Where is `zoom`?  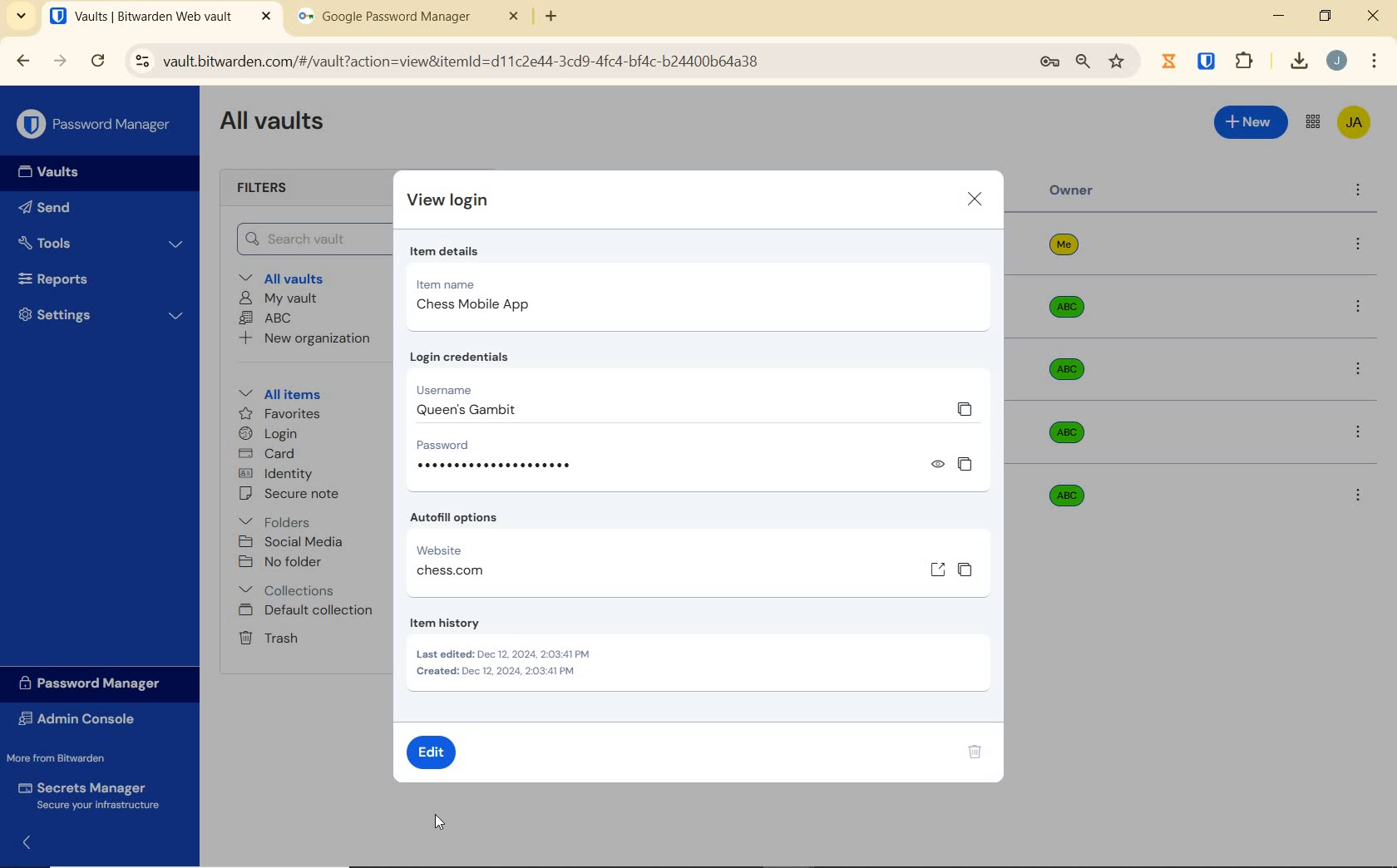 zoom is located at coordinates (1082, 62).